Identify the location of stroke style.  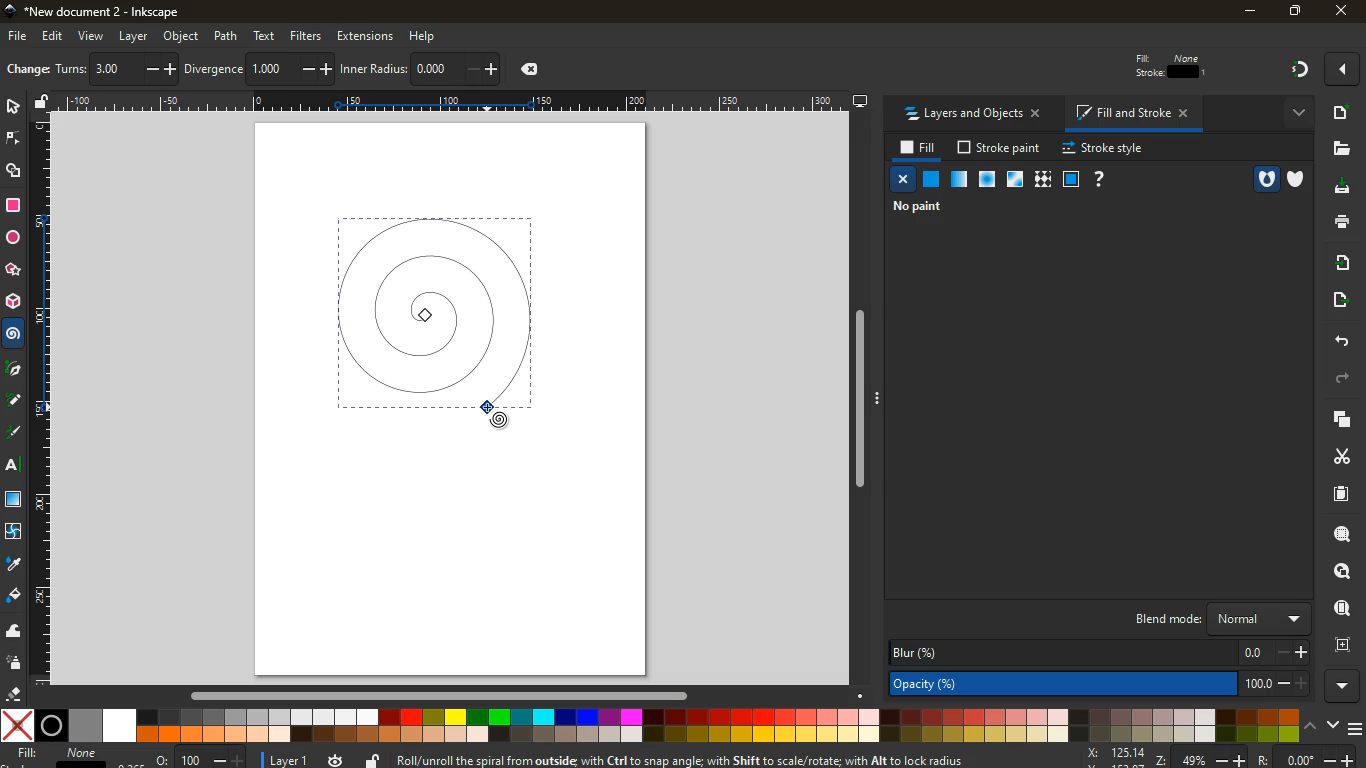
(1106, 149).